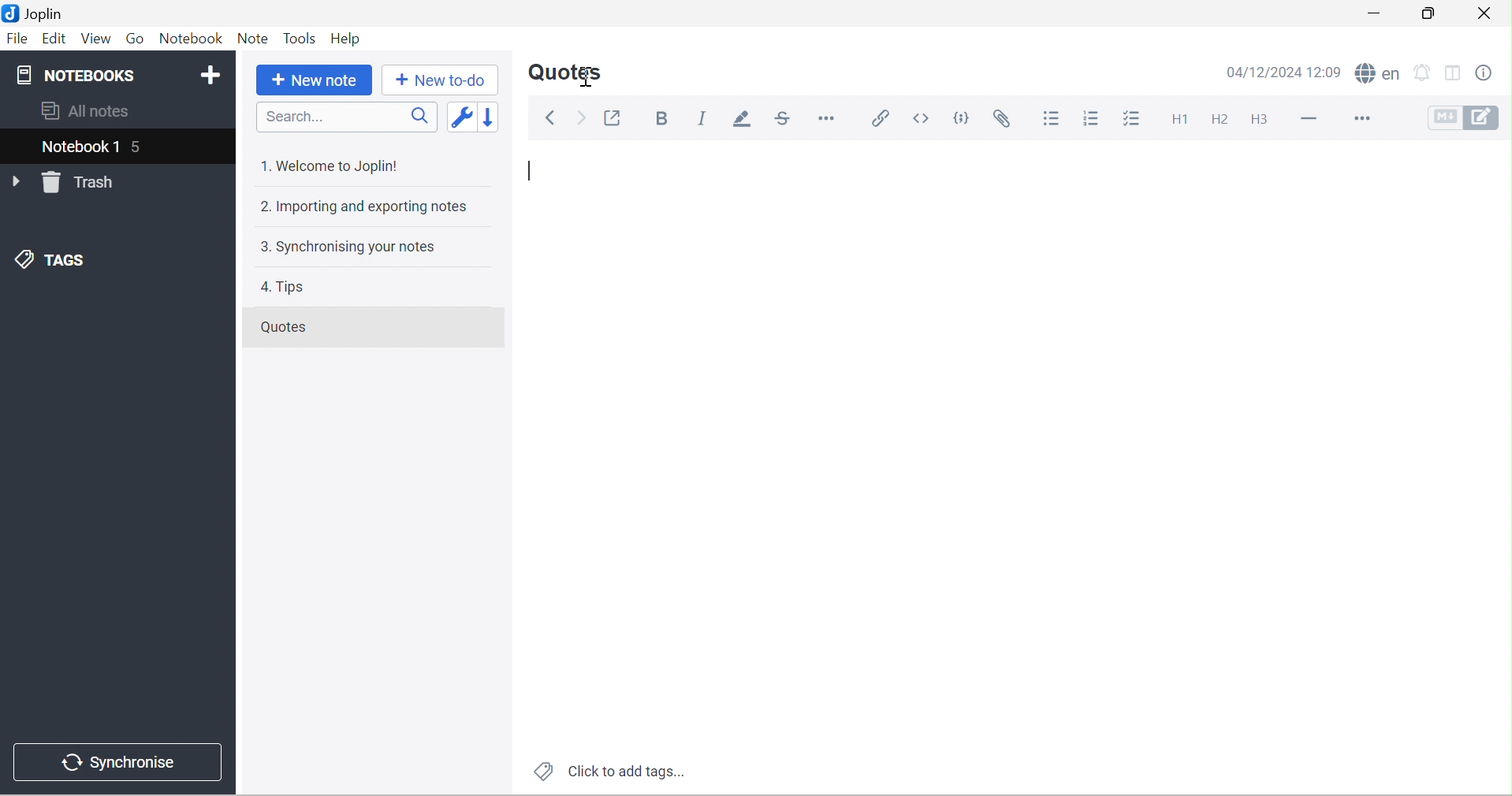 This screenshot has width=1512, height=796. Describe the element at coordinates (1223, 119) in the screenshot. I see `Heading 2` at that location.